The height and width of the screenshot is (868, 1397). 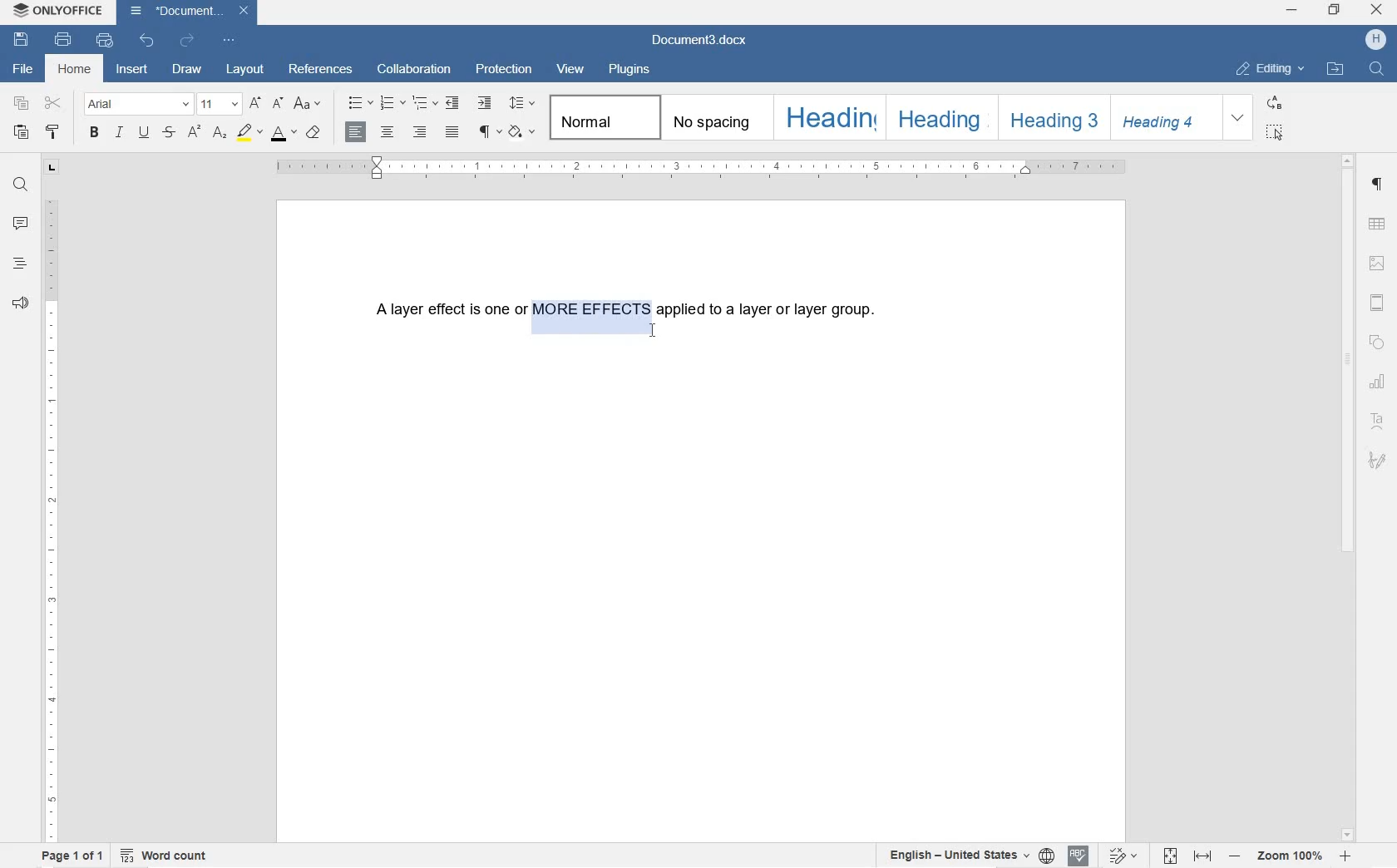 What do you see at coordinates (315, 133) in the screenshot?
I see `CLEAR STYLE` at bounding box center [315, 133].